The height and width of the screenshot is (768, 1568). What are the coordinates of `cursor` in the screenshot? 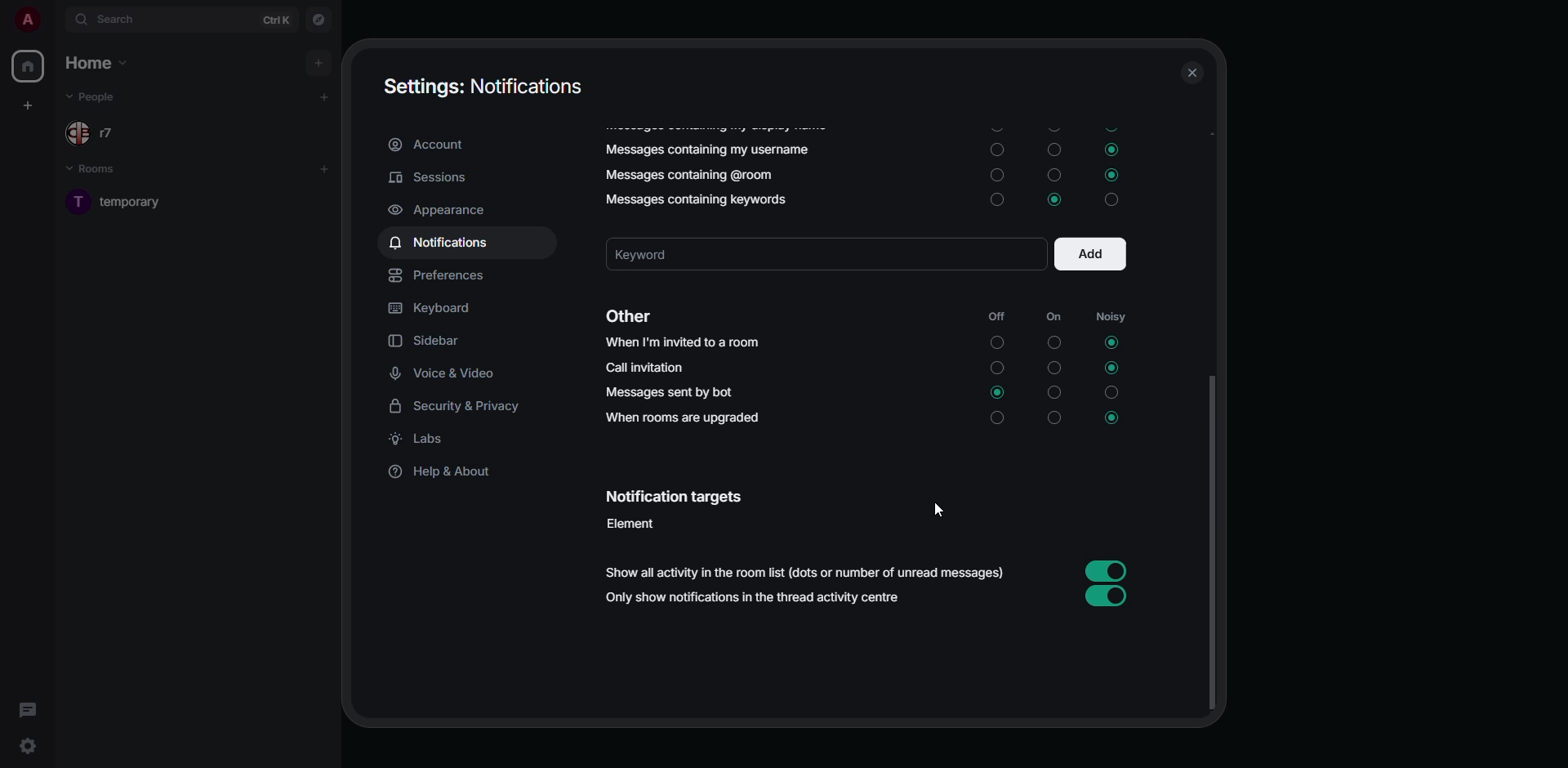 It's located at (938, 511).